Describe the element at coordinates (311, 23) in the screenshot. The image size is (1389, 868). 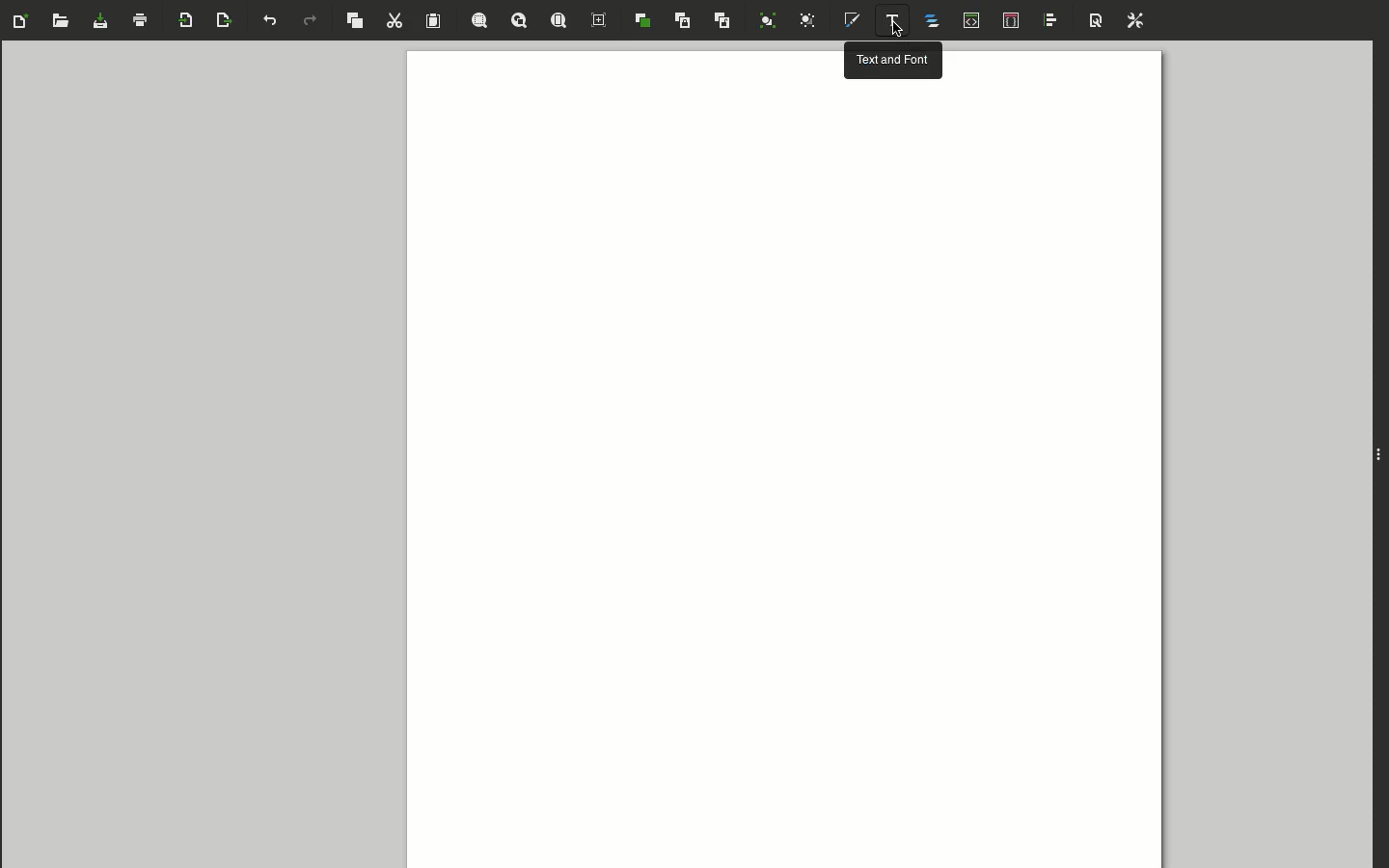
I see `Redo` at that location.